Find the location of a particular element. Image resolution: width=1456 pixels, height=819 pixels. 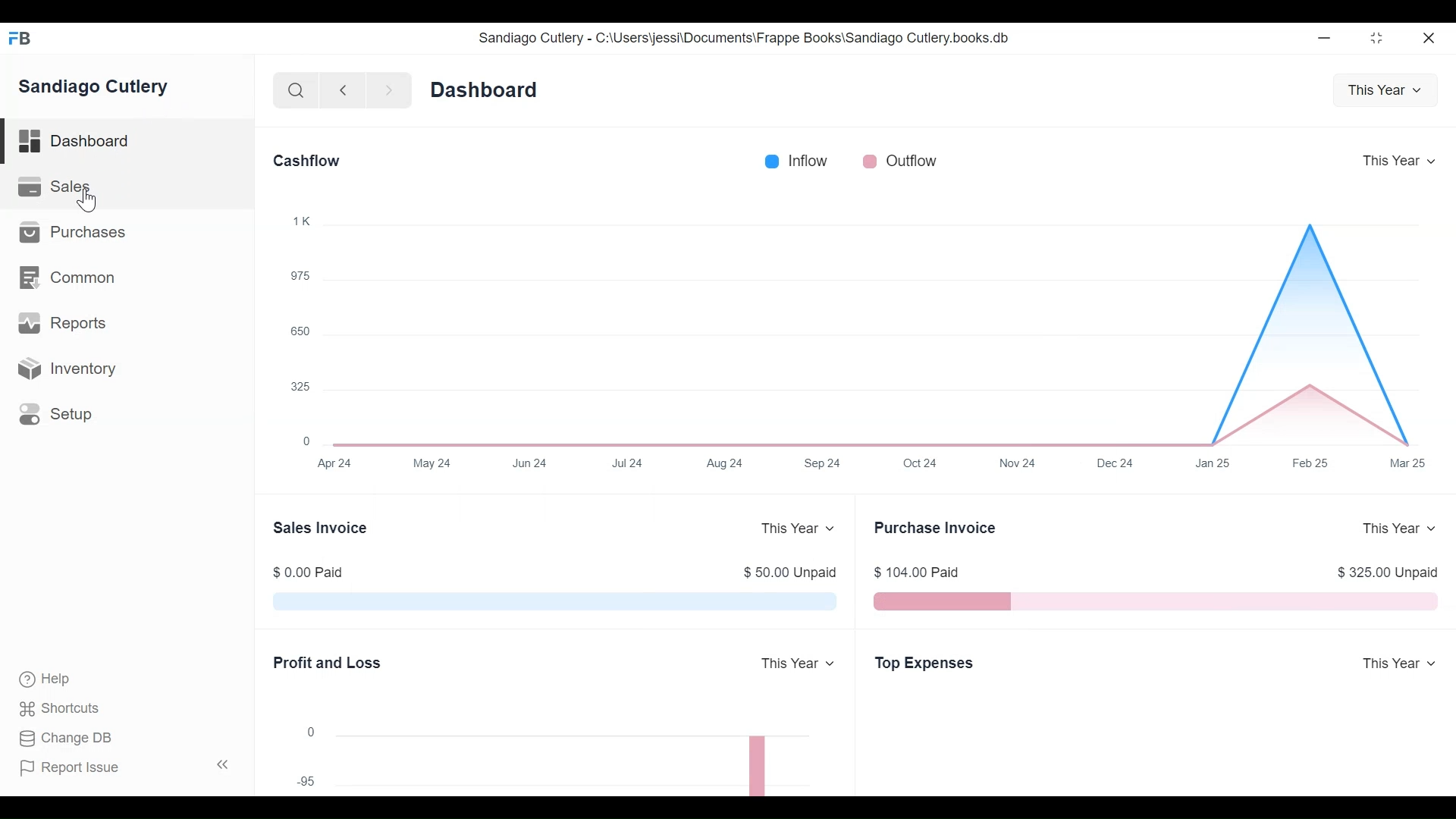

« is located at coordinates (223, 767).